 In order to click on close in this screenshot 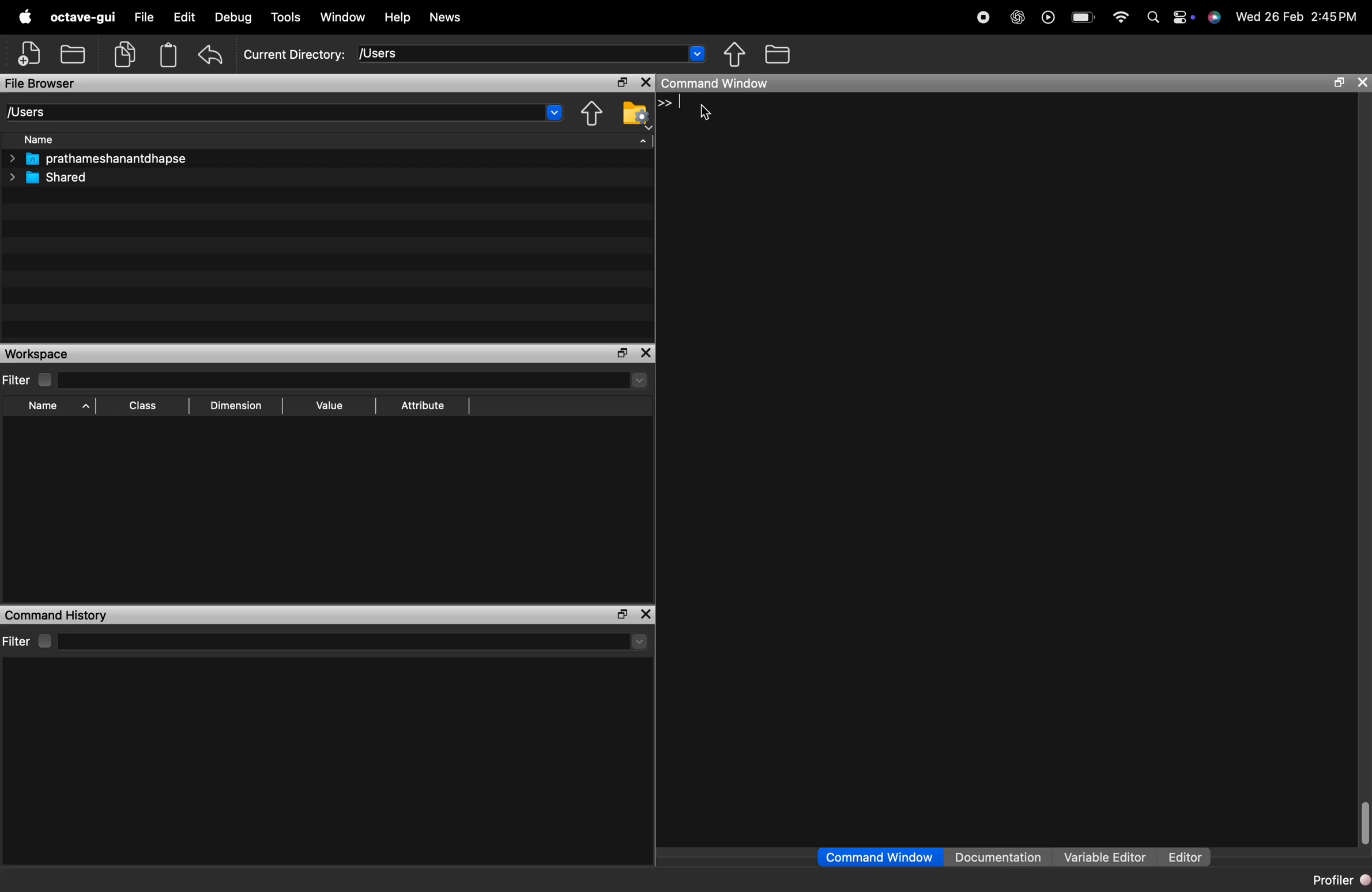, I will do `click(648, 613)`.